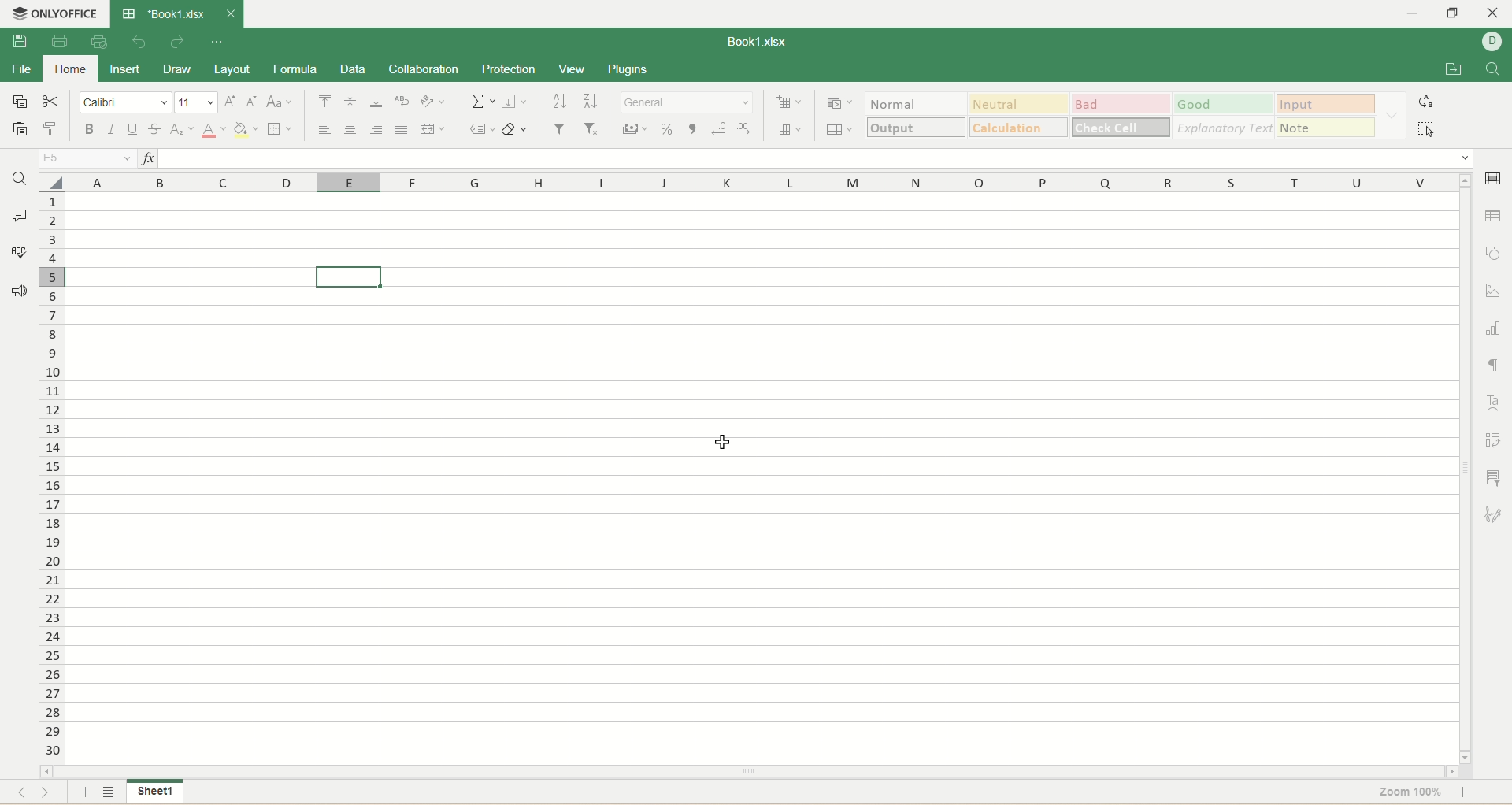  What do you see at coordinates (1492, 44) in the screenshot?
I see `username` at bounding box center [1492, 44].